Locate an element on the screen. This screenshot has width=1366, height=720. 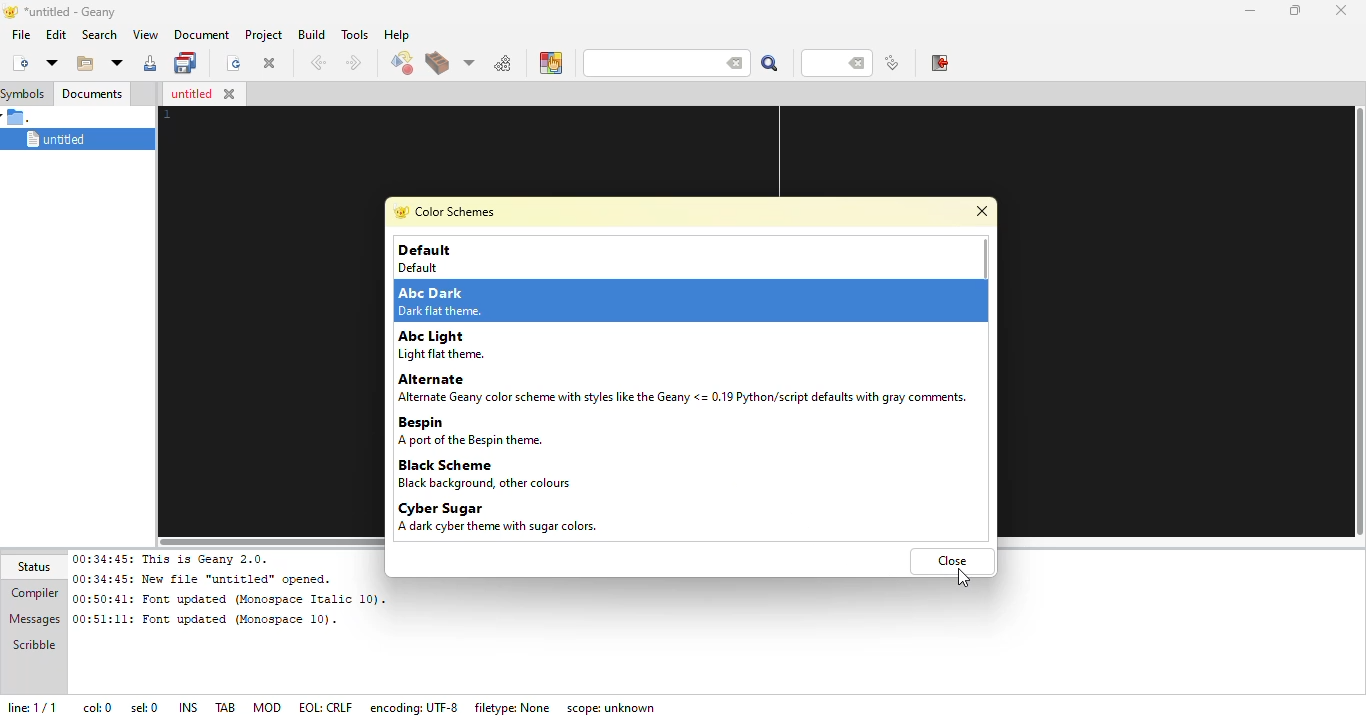
jump to line is located at coordinates (890, 64).